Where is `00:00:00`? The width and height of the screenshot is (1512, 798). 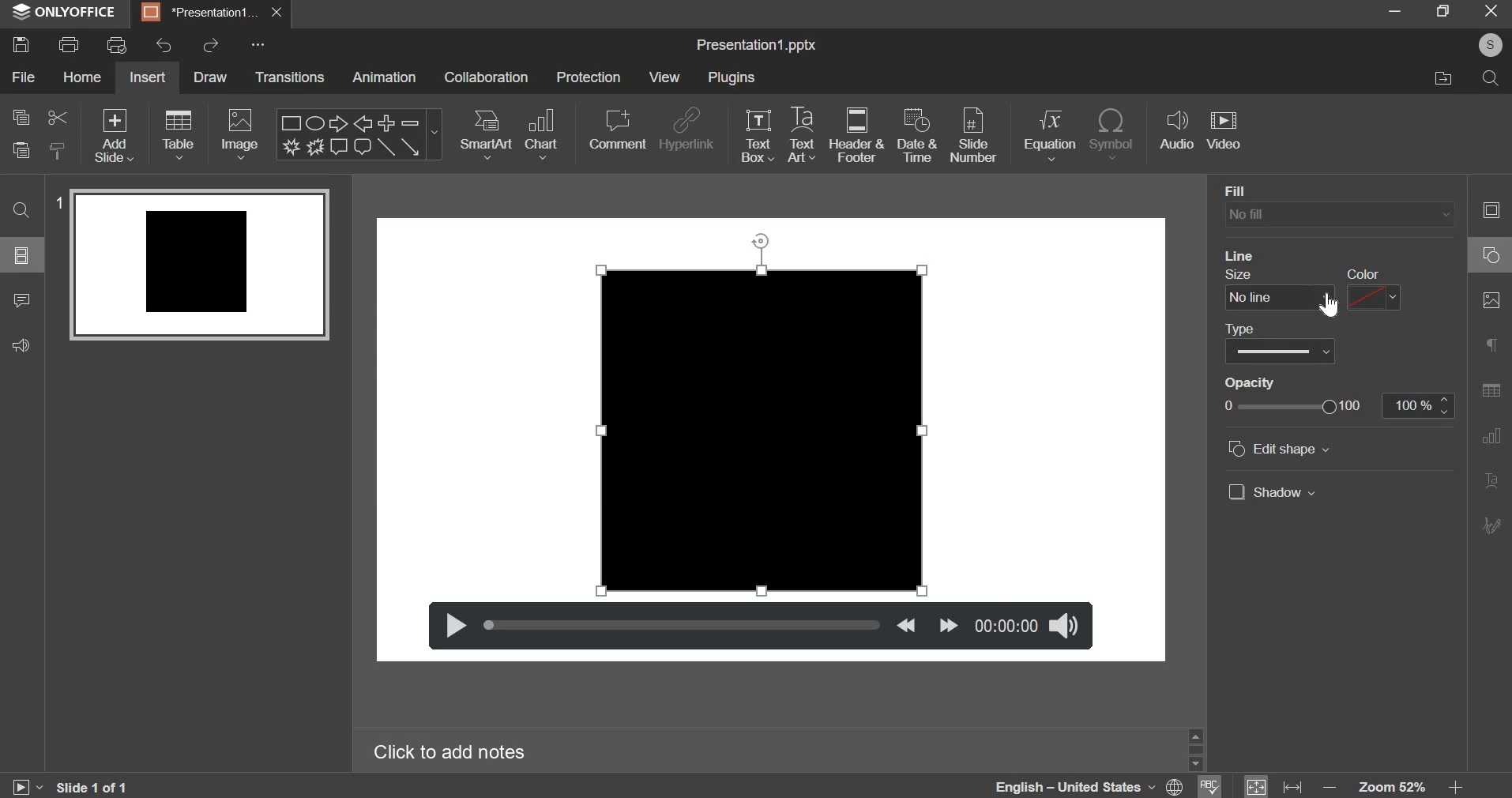 00:00:00 is located at coordinates (1005, 624).